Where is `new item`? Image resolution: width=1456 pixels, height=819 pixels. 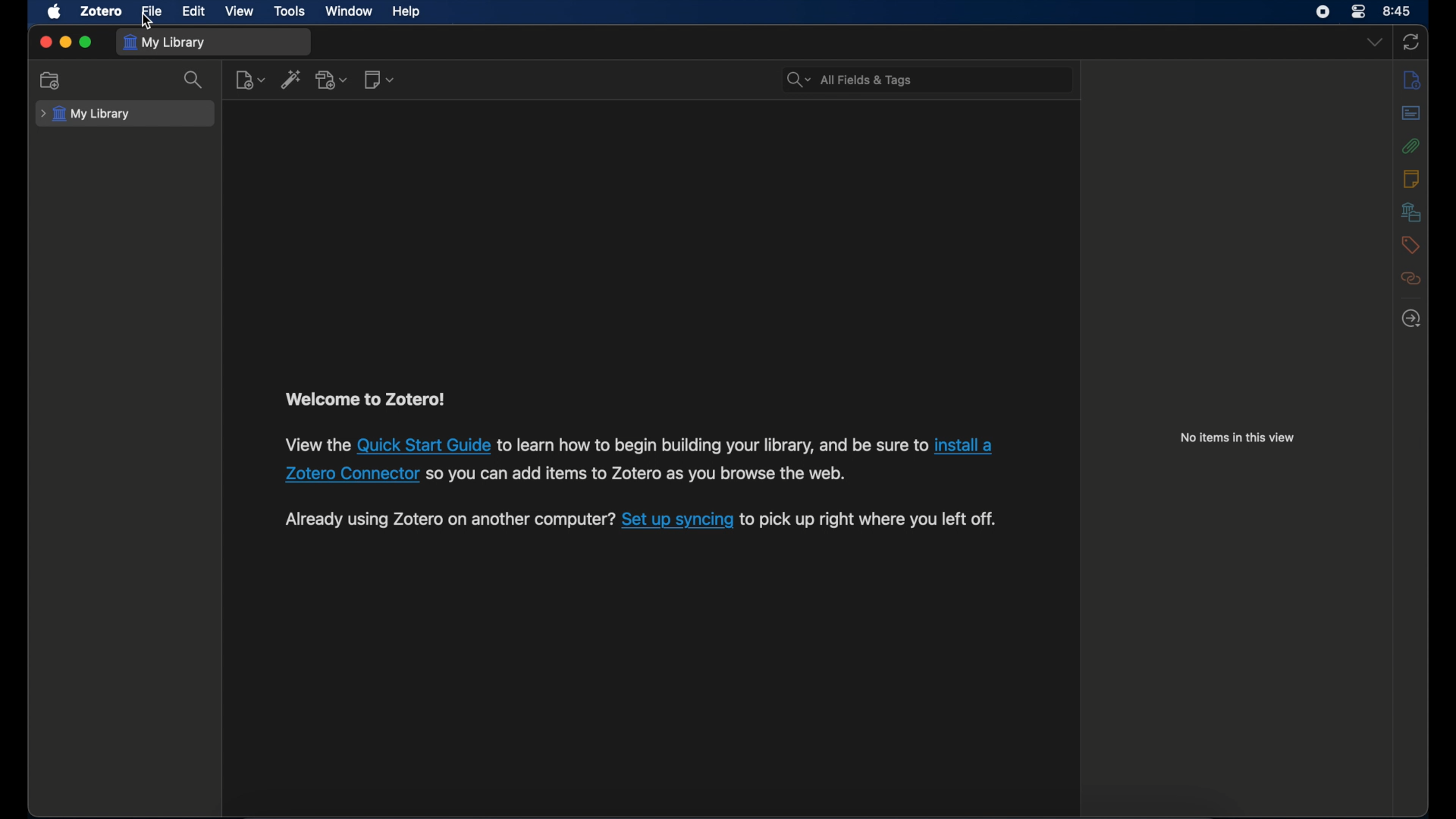
new item is located at coordinates (250, 81).